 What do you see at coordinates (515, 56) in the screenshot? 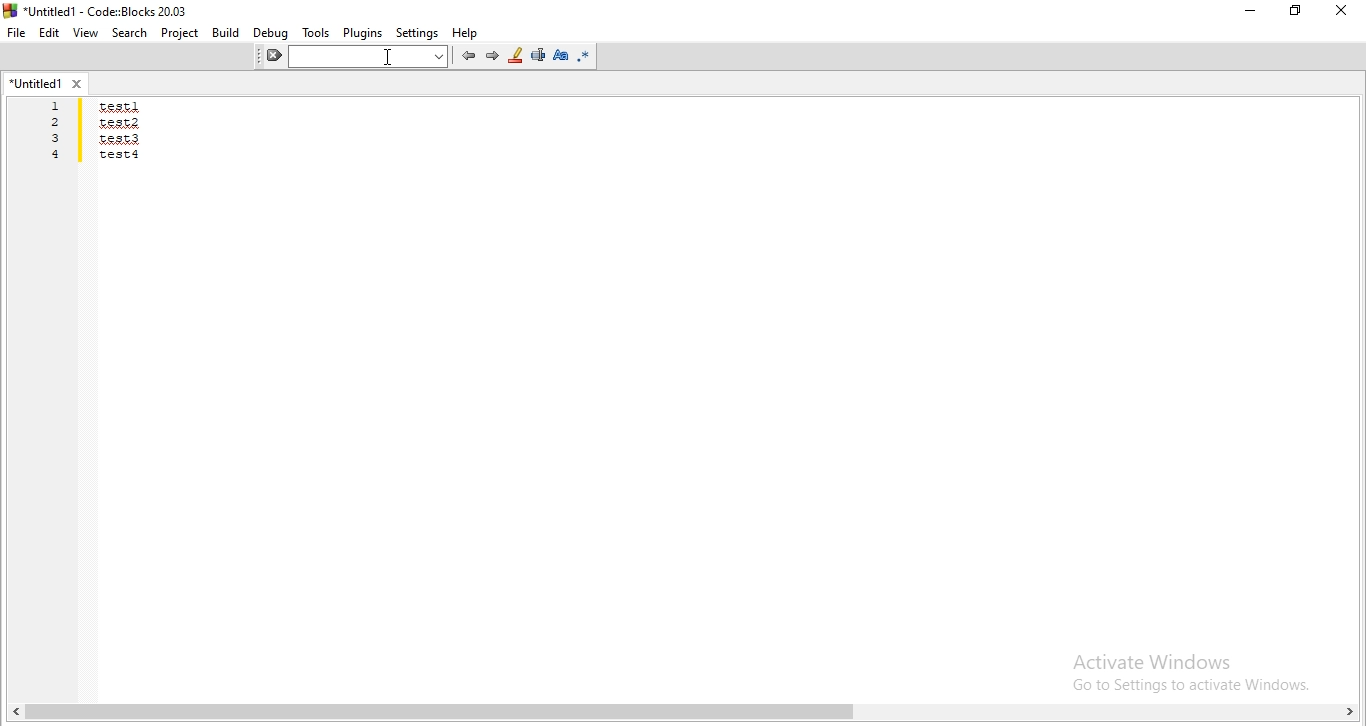
I see `highlight` at bounding box center [515, 56].